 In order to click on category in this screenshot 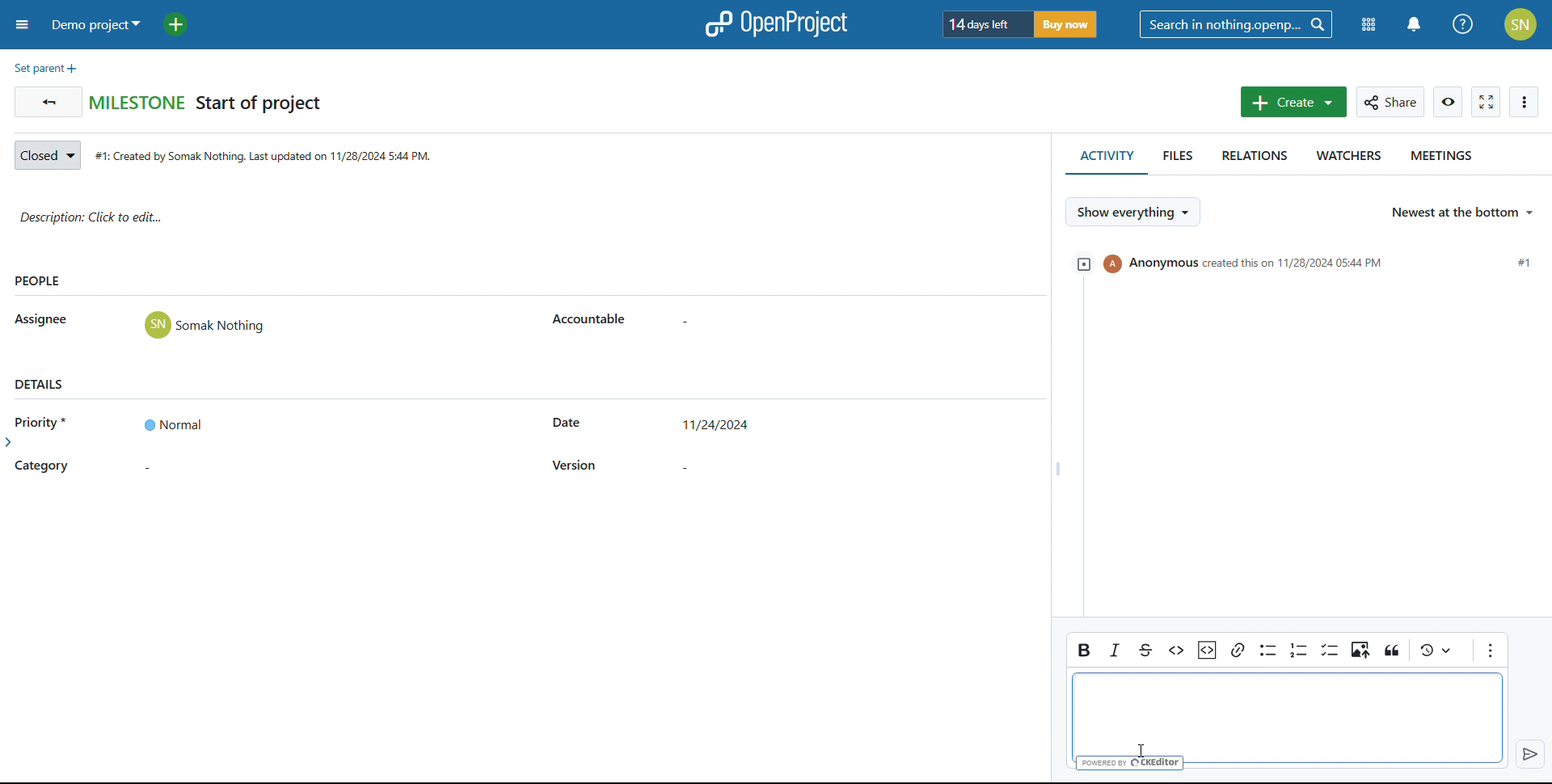, I will do `click(42, 467)`.